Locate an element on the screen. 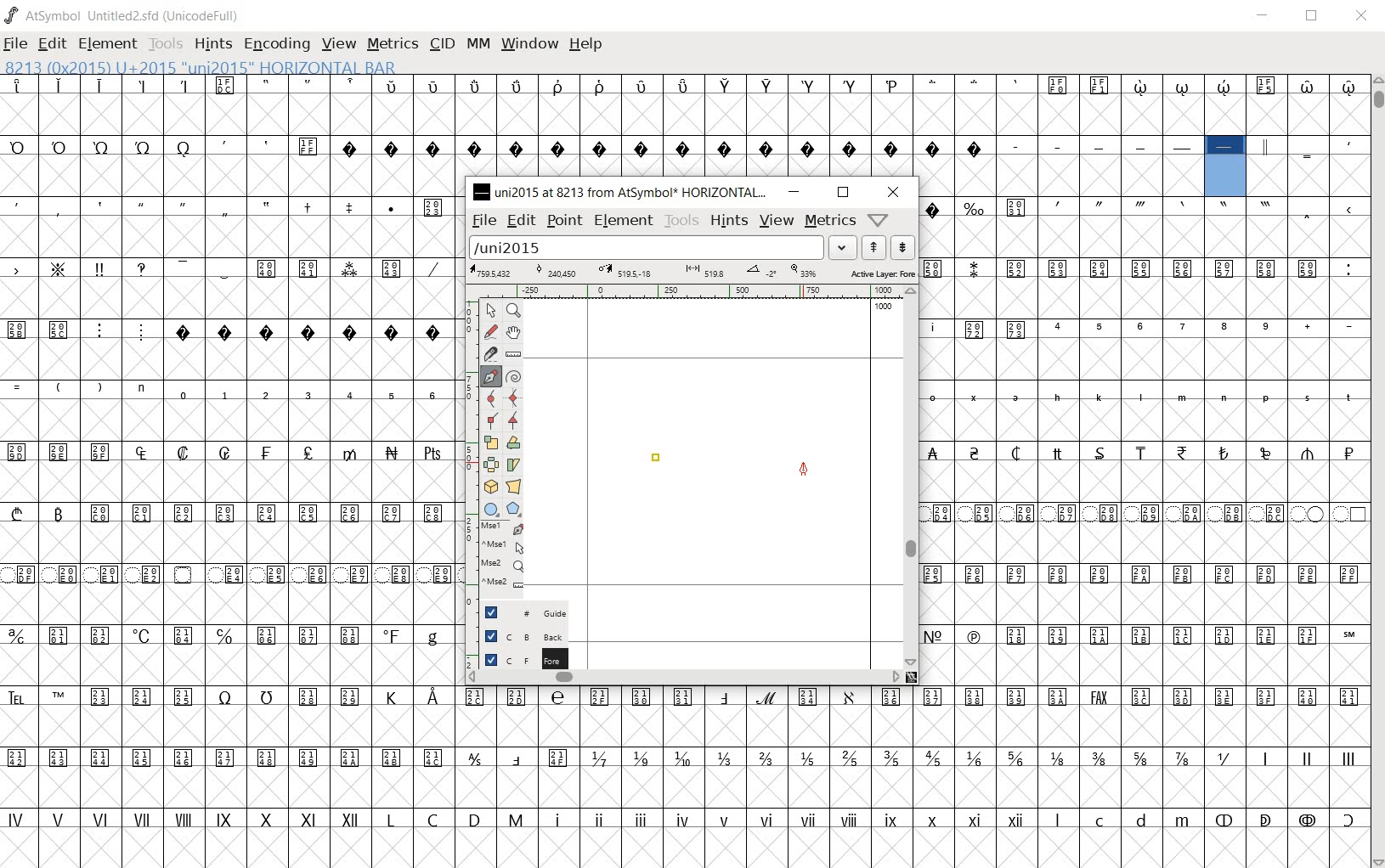 This screenshot has height=868, width=1385. POINTER is located at coordinates (492, 312).